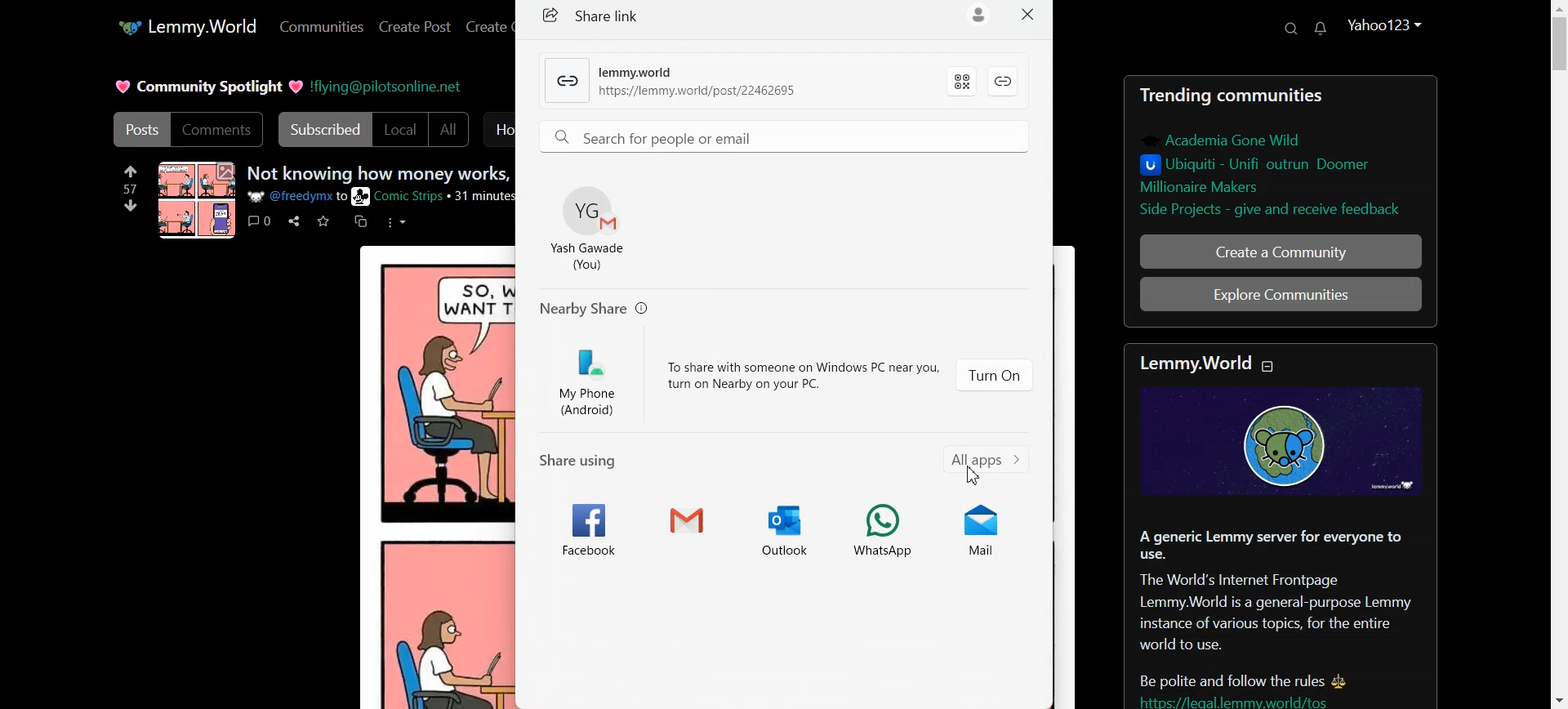 This screenshot has height=709, width=1568. Describe the element at coordinates (1280, 151) in the screenshot. I see `Posts` at that location.